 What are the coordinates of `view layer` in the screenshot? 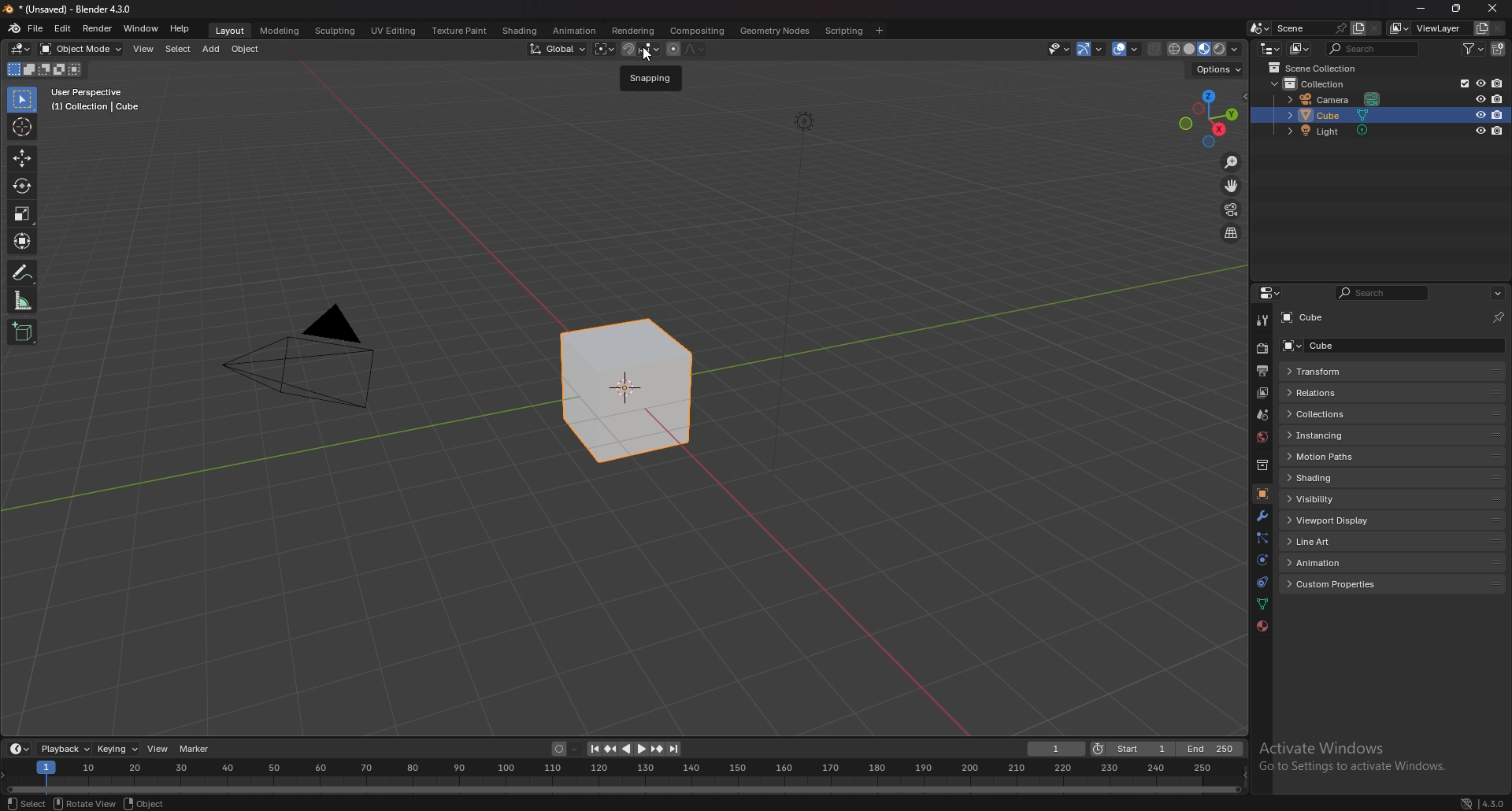 It's located at (1260, 394).